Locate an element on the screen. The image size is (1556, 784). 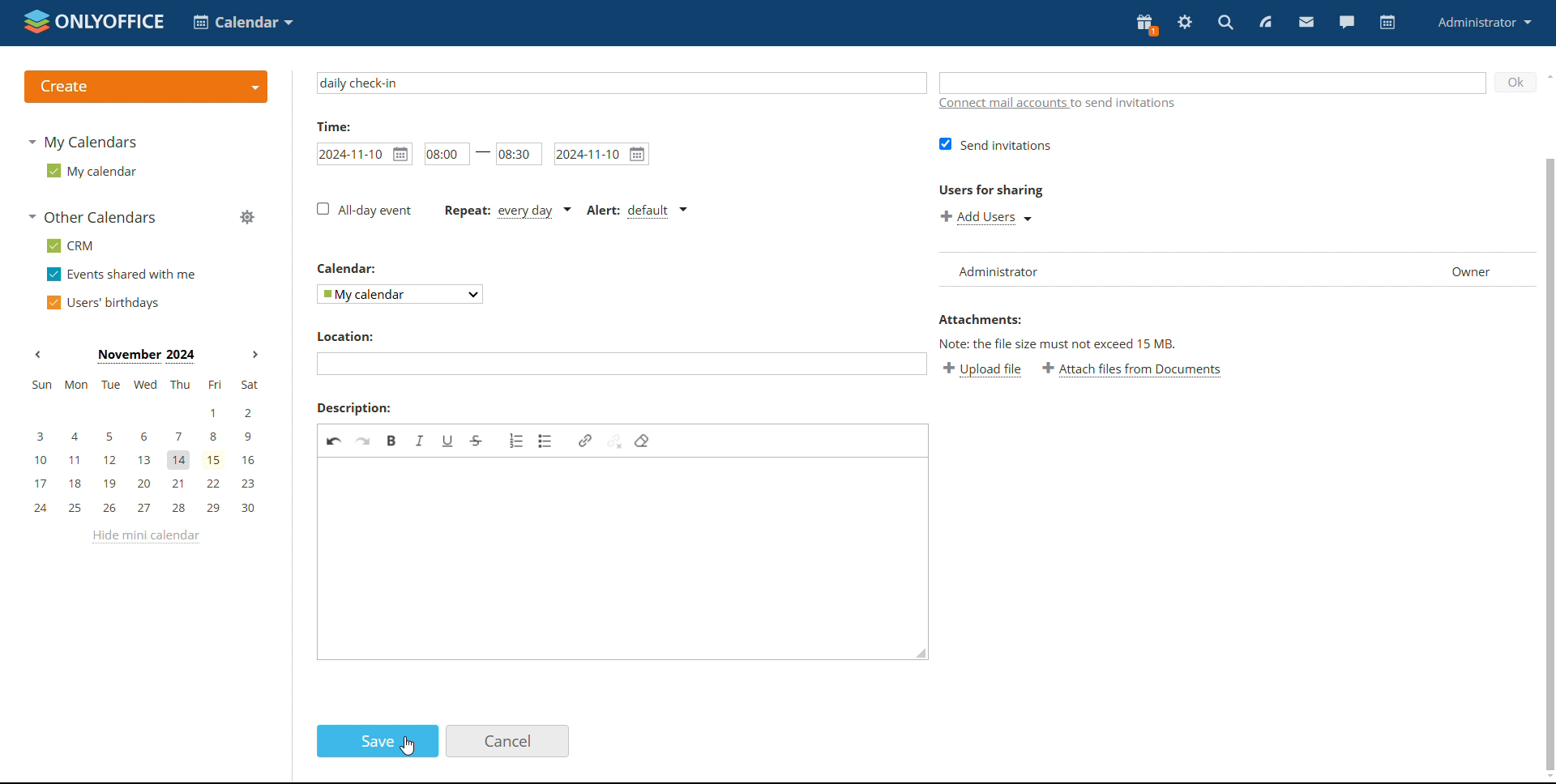
insert/remove bulleted list is located at coordinates (551, 438).